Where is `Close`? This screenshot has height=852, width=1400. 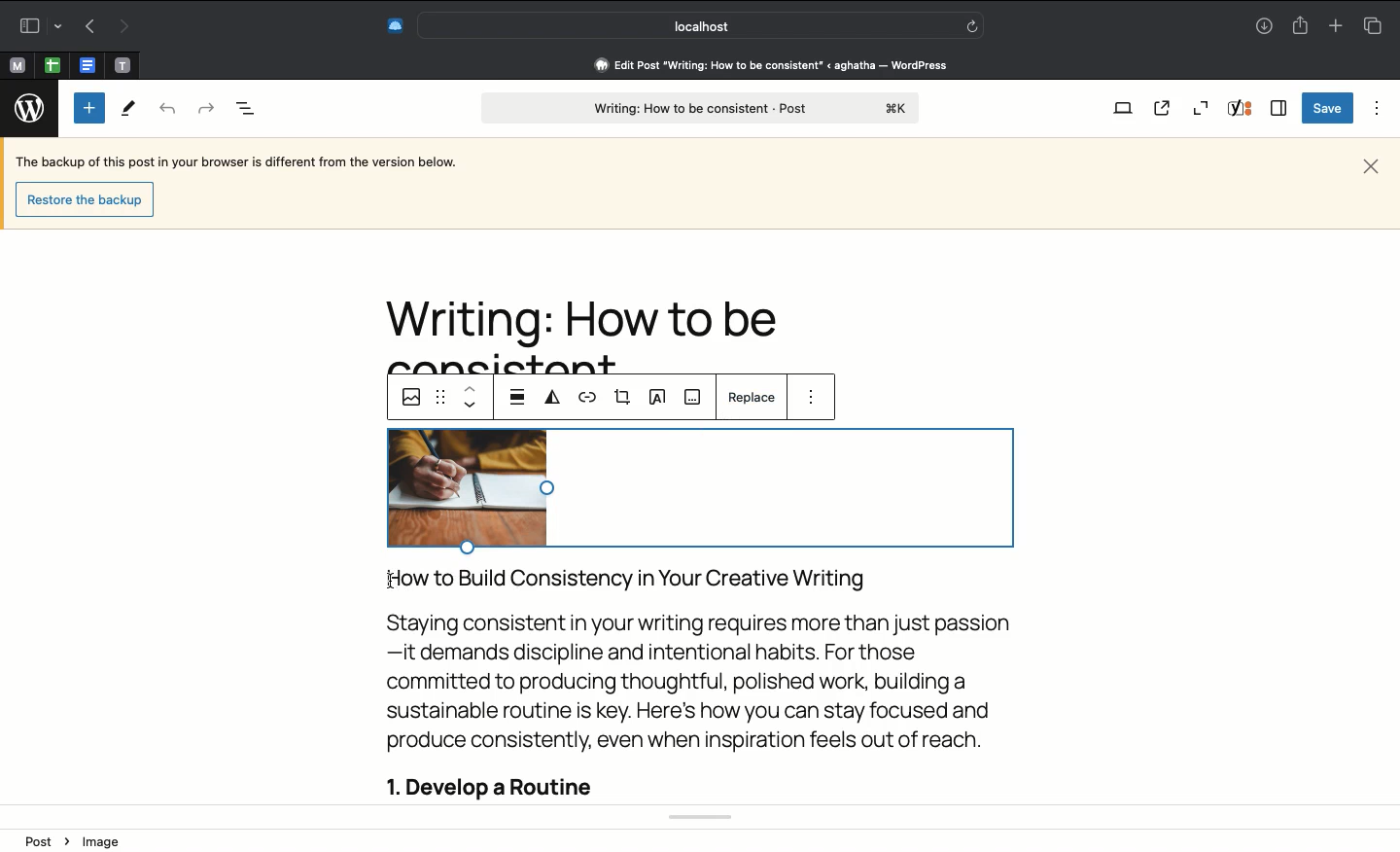
Close is located at coordinates (1371, 166).